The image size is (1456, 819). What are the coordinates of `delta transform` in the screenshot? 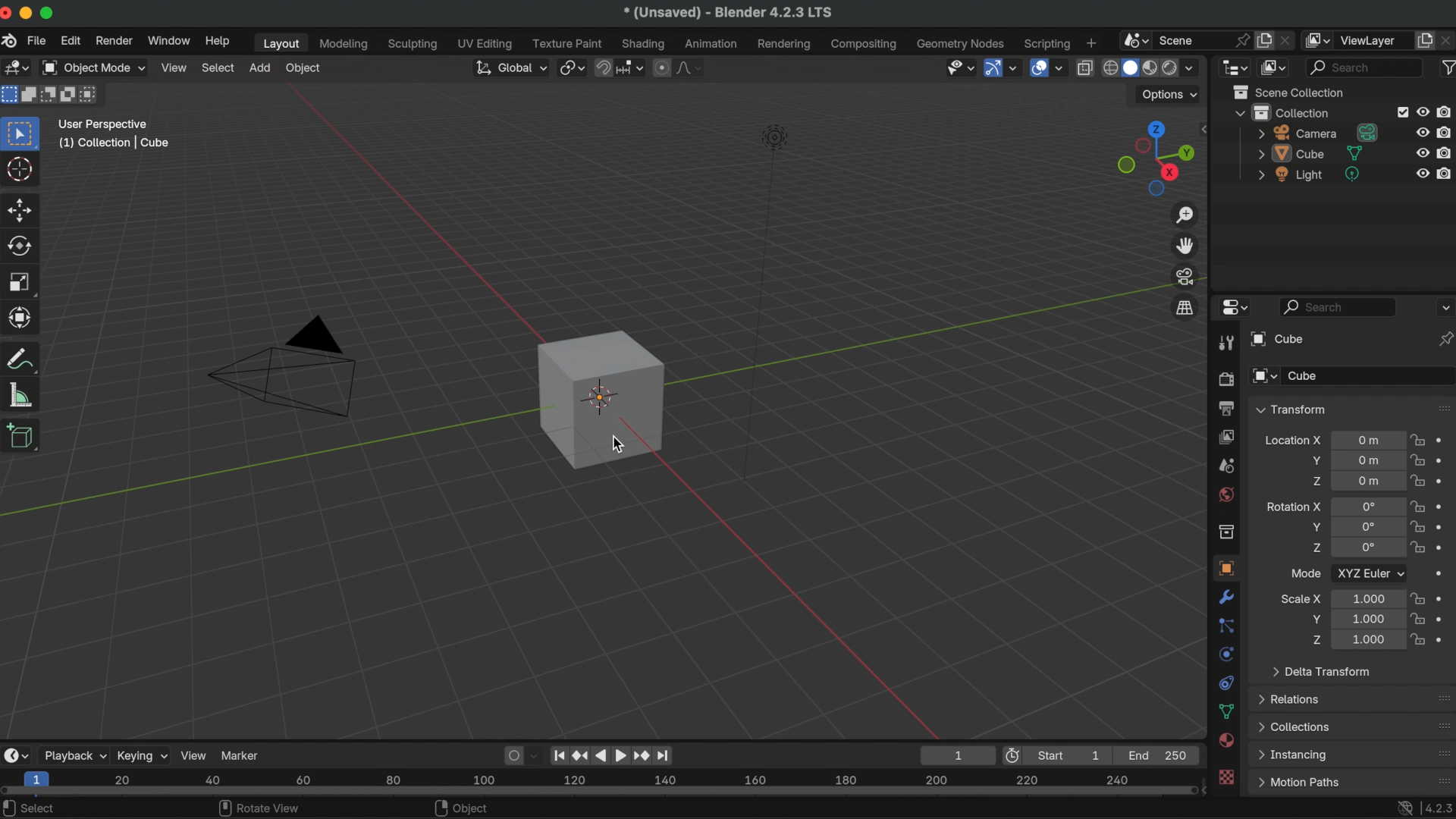 It's located at (1321, 670).